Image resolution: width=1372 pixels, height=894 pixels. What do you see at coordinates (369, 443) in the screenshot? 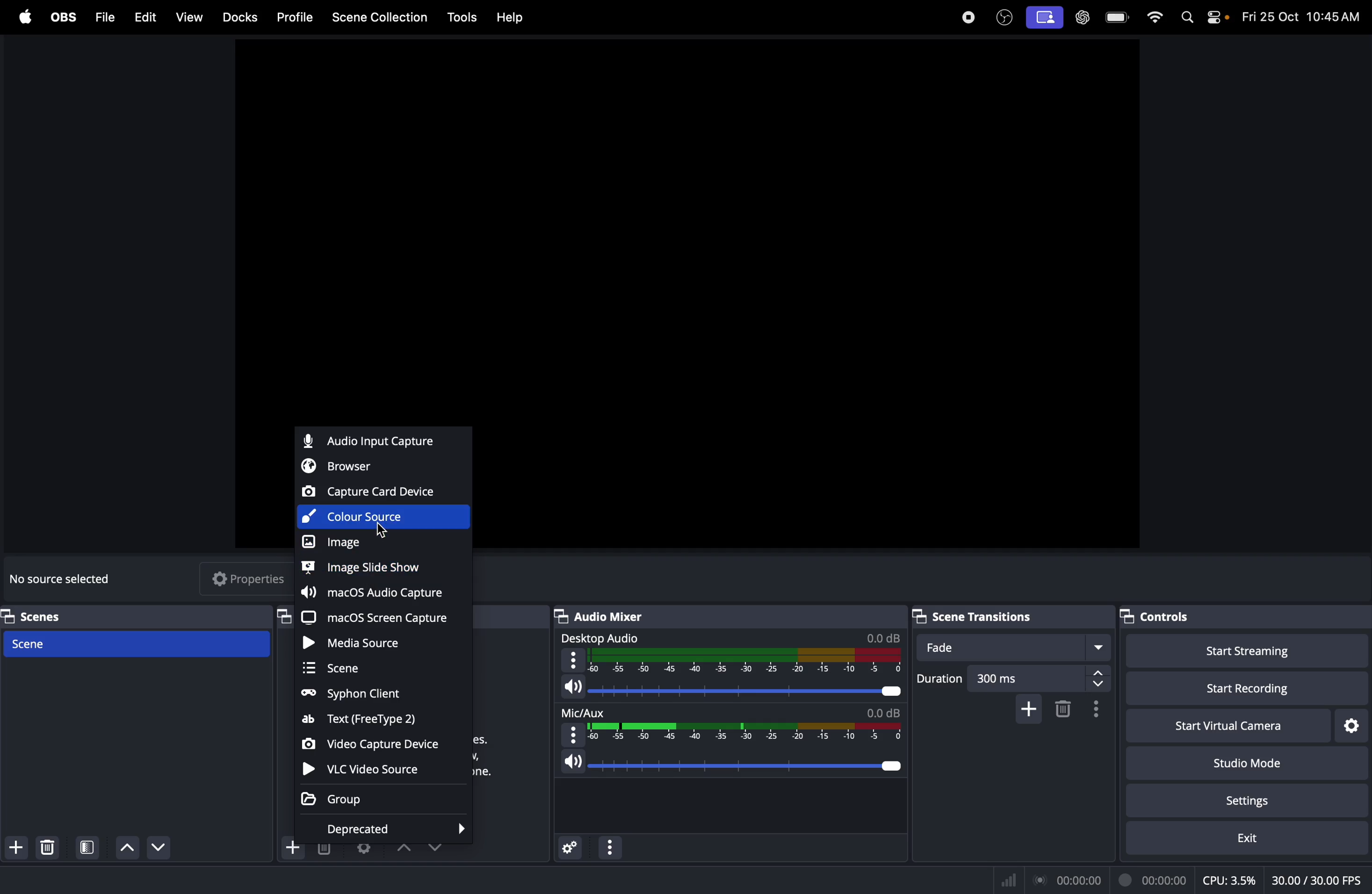
I see `Audio capture` at bounding box center [369, 443].